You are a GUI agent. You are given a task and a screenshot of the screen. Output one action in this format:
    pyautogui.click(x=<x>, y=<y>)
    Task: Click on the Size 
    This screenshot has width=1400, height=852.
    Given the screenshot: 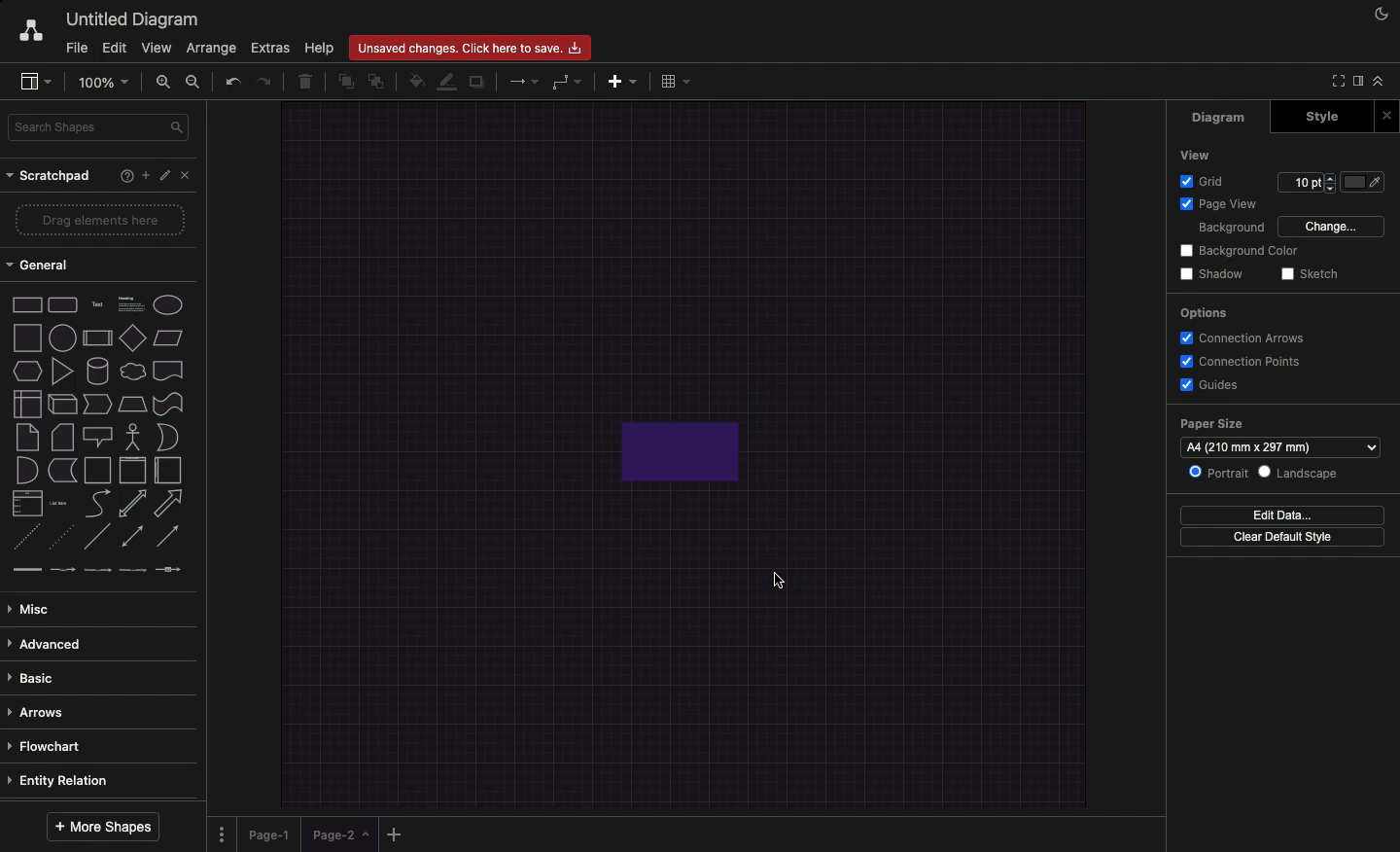 What is the action you would take?
    pyautogui.click(x=1308, y=185)
    